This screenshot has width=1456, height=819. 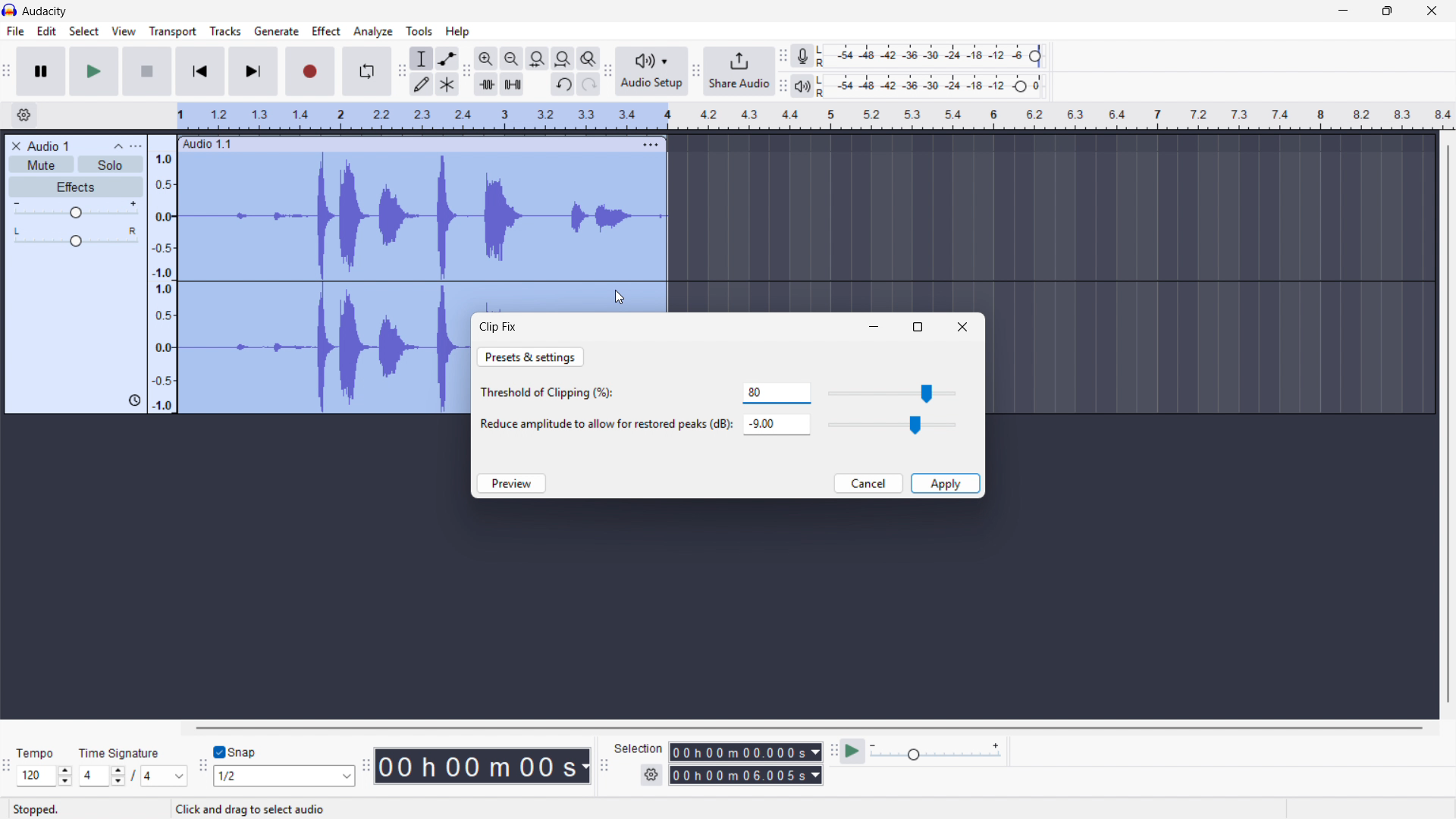 What do you see at coordinates (531, 357) in the screenshot?
I see `presets and settings ` at bounding box center [531, 357].